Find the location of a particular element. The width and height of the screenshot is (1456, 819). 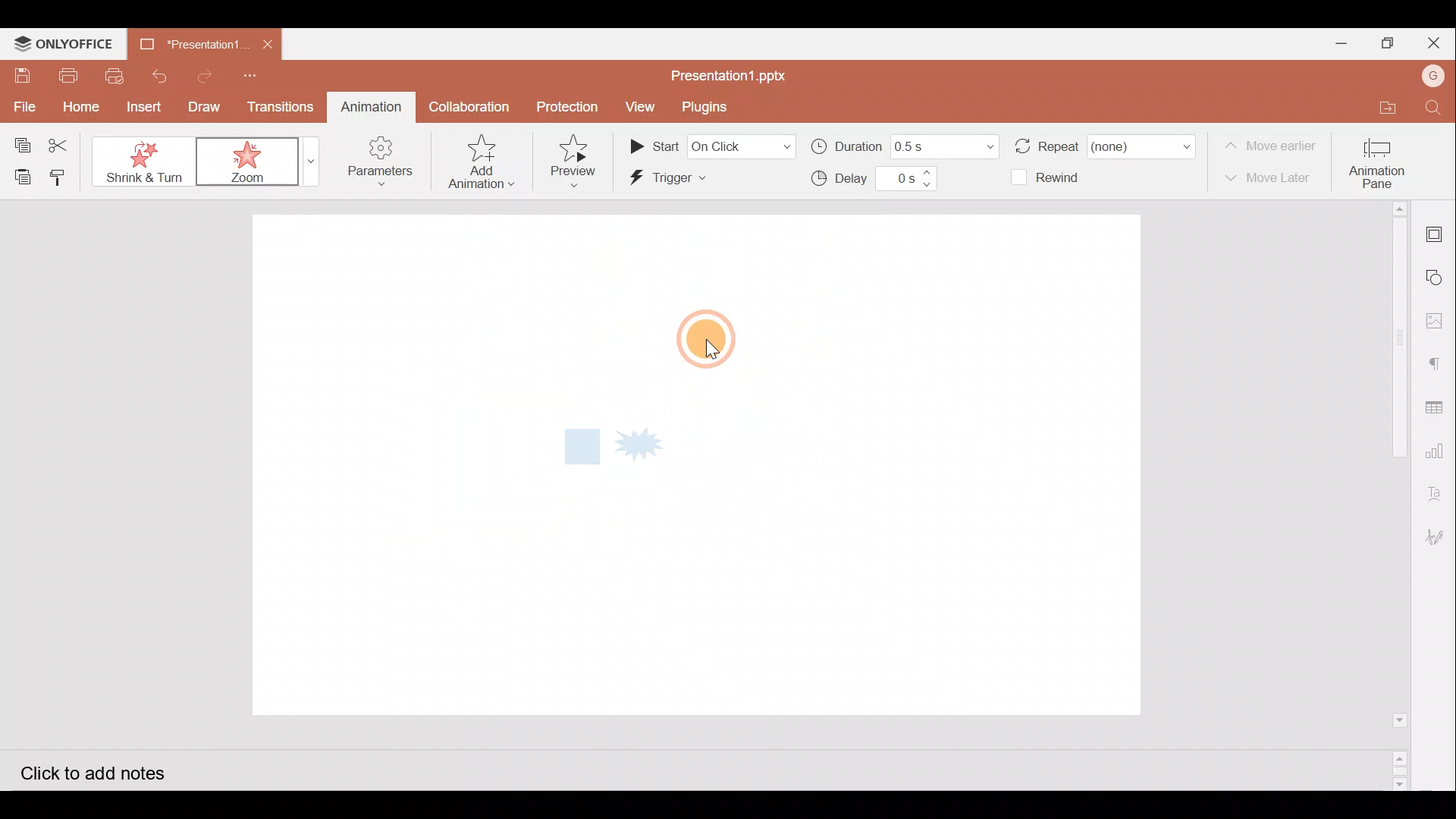

Account name is located at coordinates (1428, 76).